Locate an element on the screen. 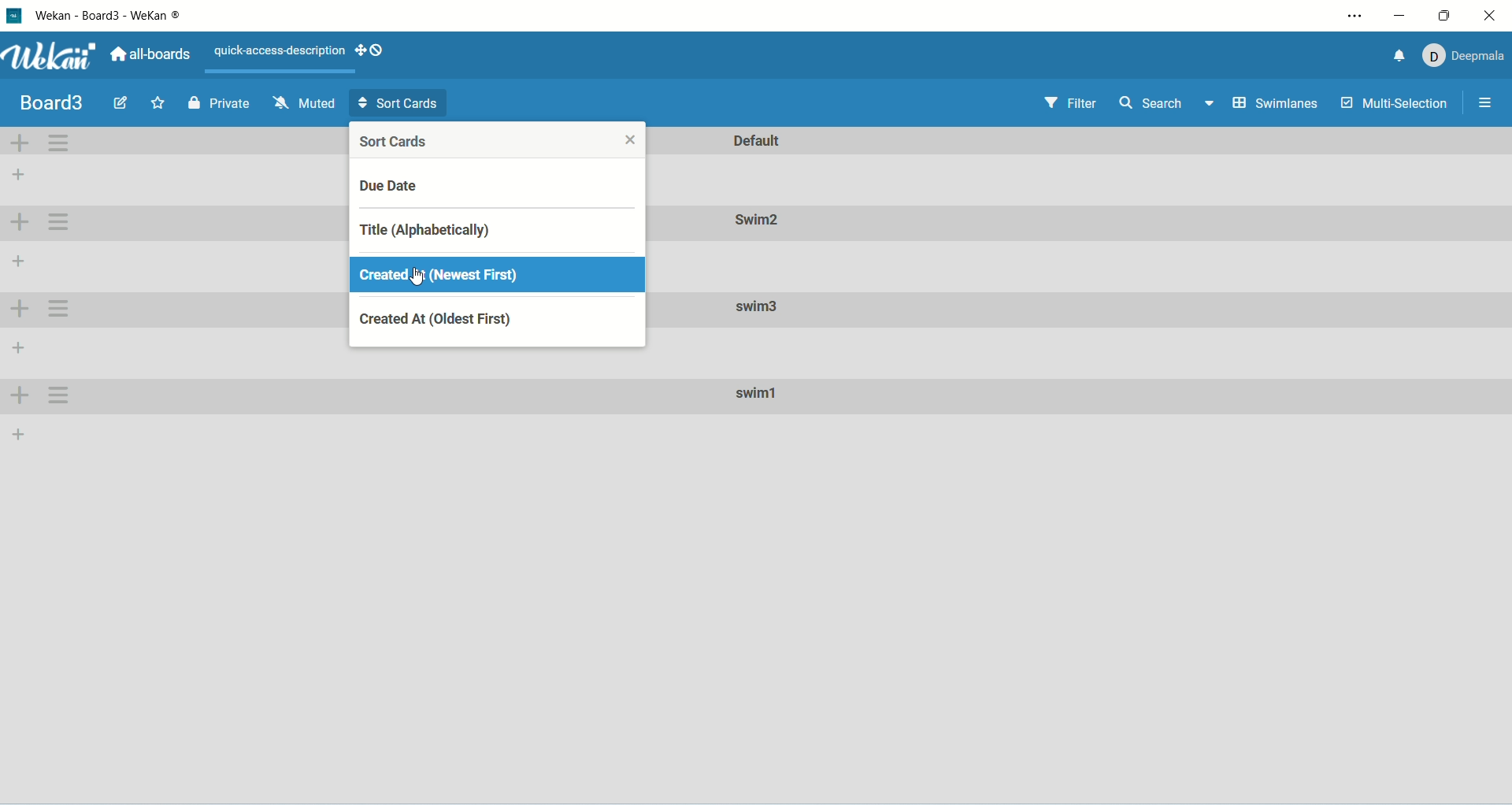  muted is located at coordinates (303, 103).